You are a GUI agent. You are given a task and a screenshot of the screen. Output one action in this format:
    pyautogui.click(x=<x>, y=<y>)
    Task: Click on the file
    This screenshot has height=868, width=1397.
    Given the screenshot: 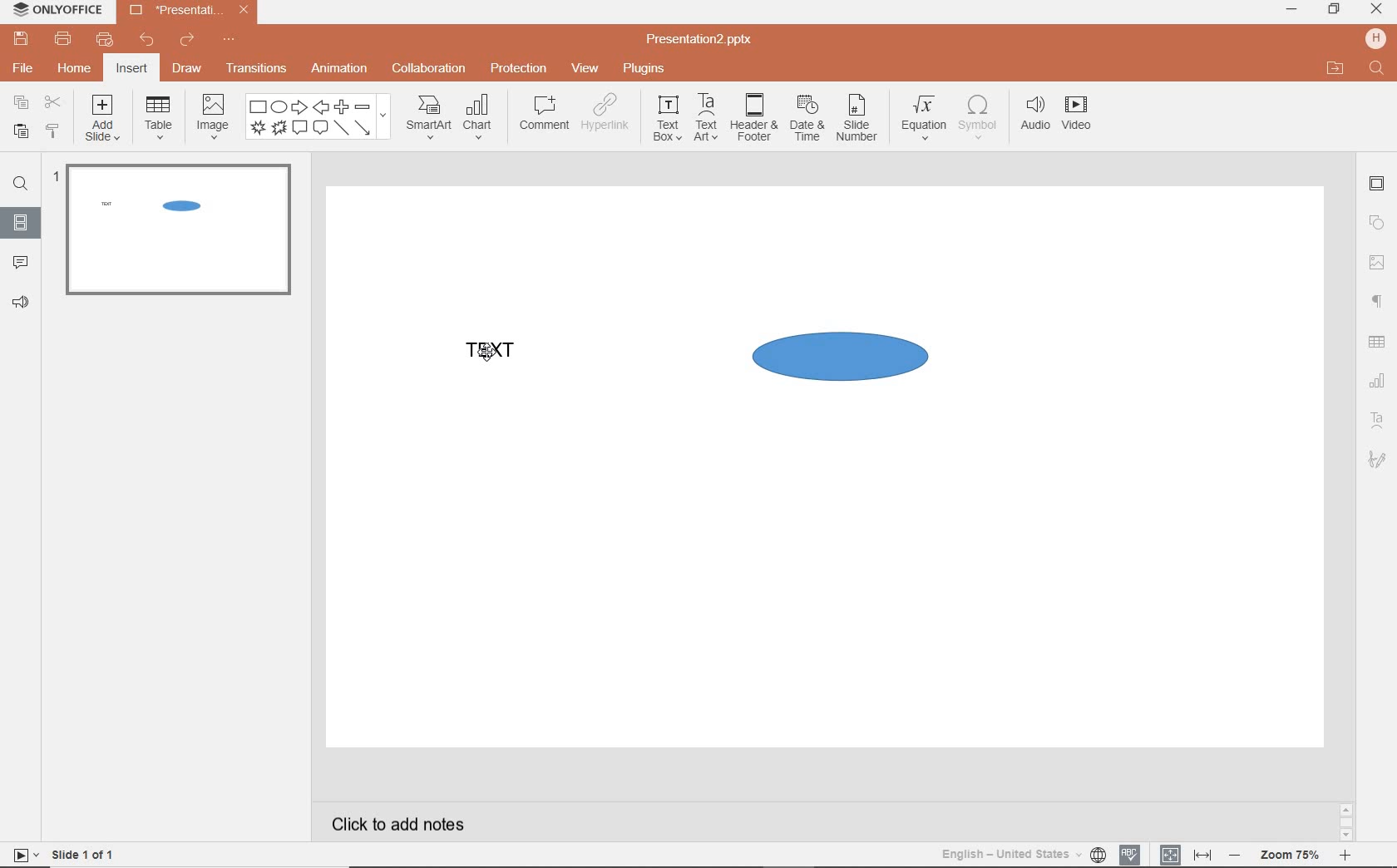 What is the action you would take?
    pyautogui.click(x=24, y=69)
    